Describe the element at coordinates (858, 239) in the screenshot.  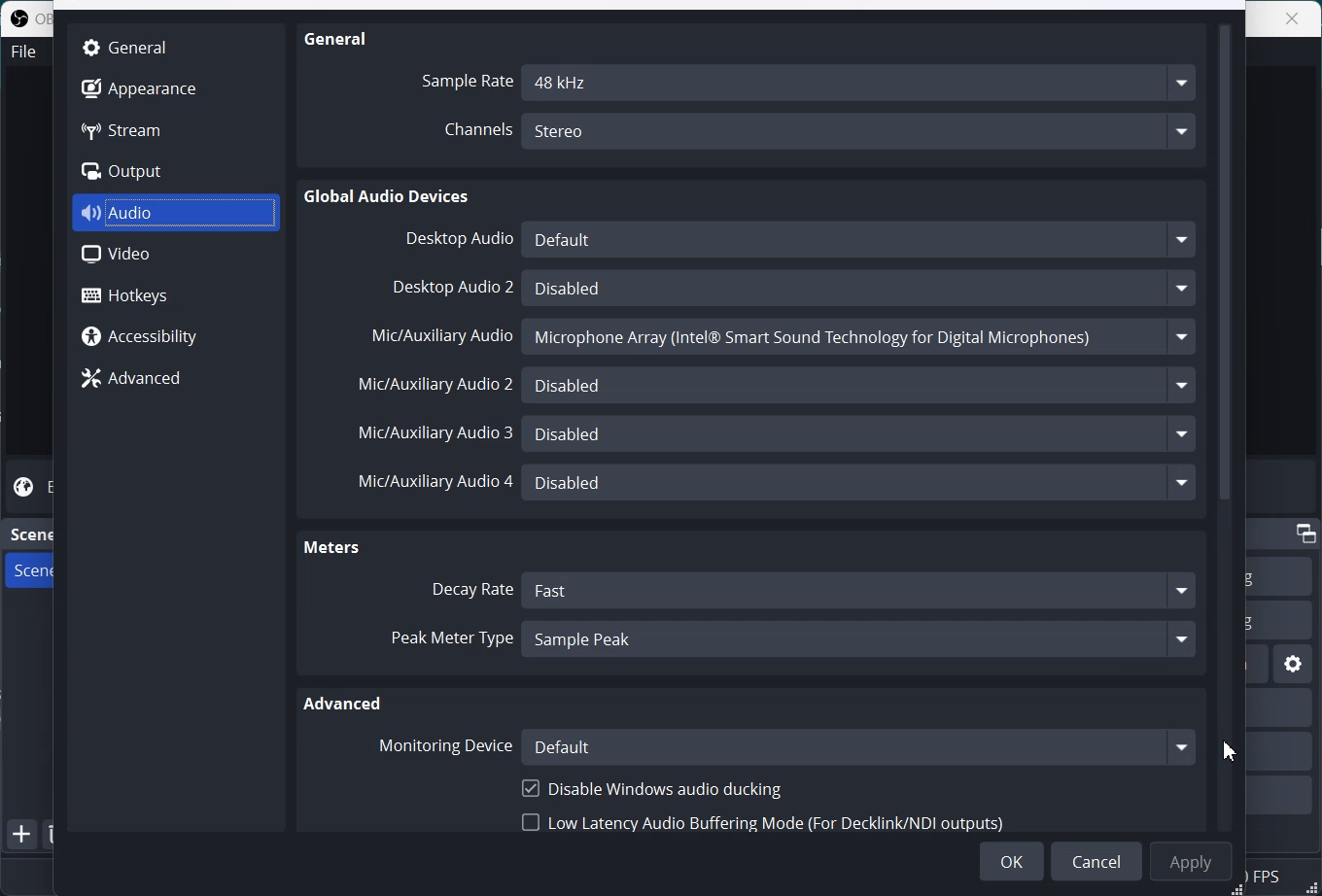
I see `Default` at that location.